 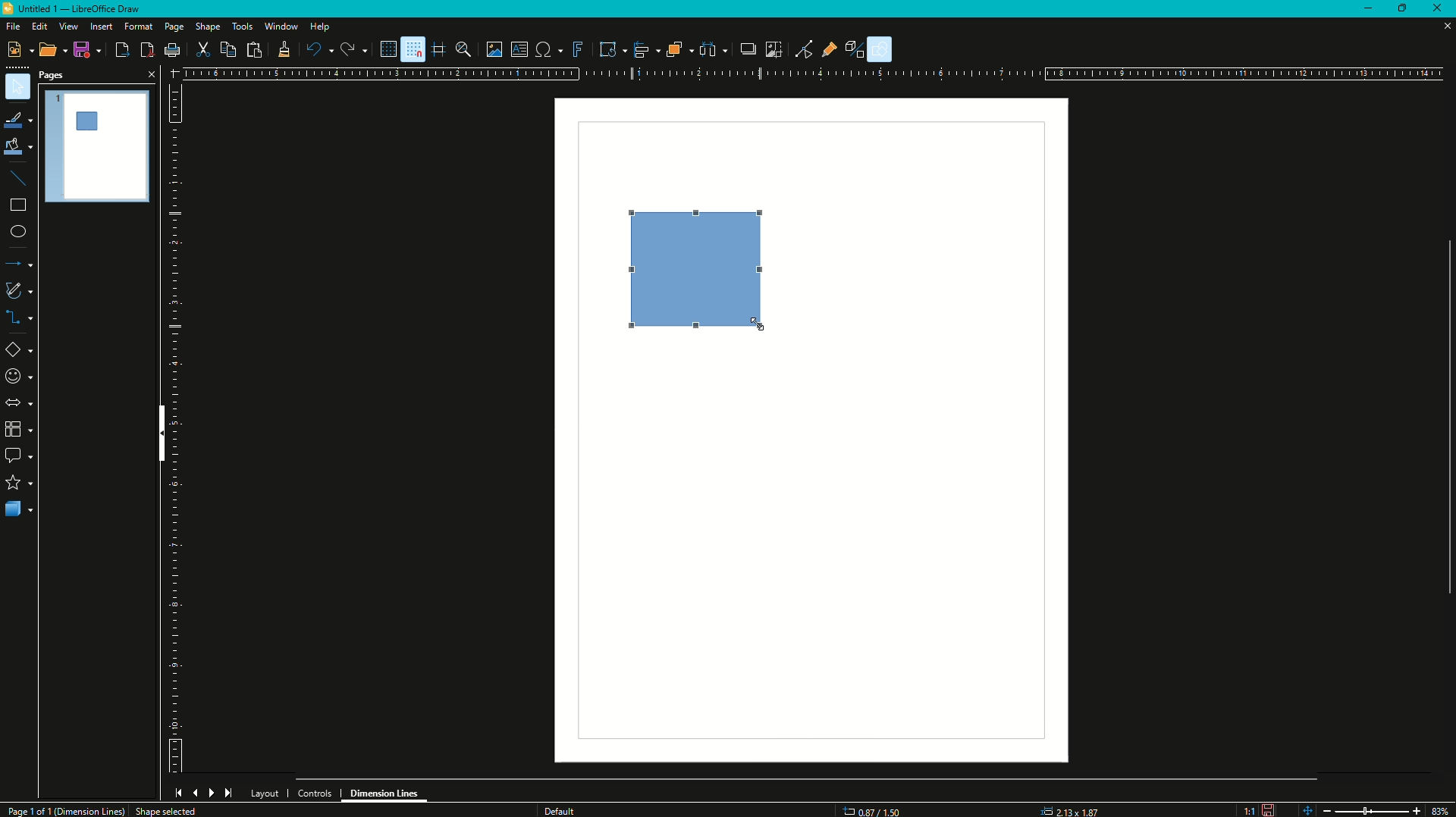 I want to click on Shape, so click(x=208, y=28).